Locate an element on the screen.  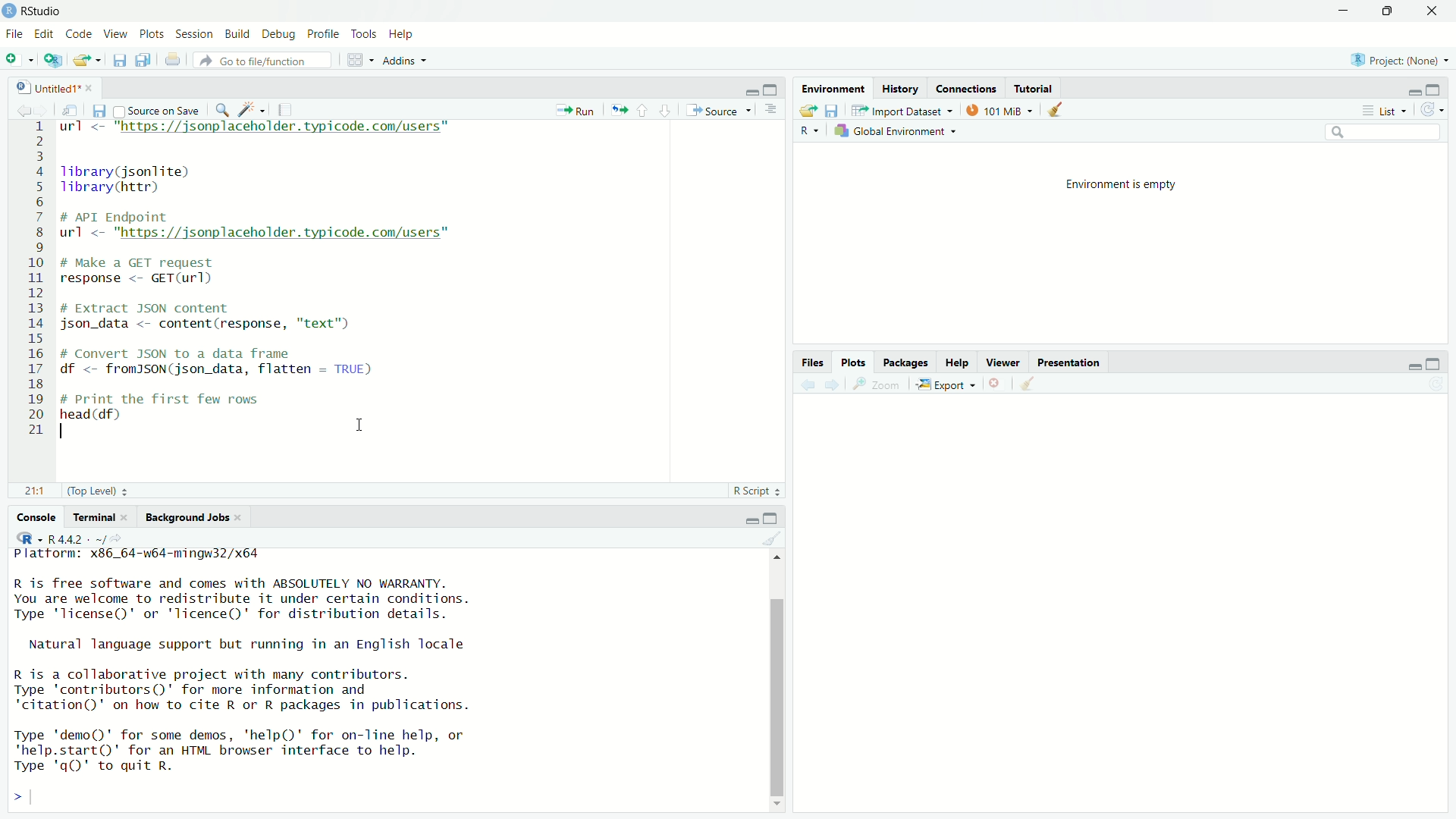
Show Document Outline is located at coordinates (772, 110).